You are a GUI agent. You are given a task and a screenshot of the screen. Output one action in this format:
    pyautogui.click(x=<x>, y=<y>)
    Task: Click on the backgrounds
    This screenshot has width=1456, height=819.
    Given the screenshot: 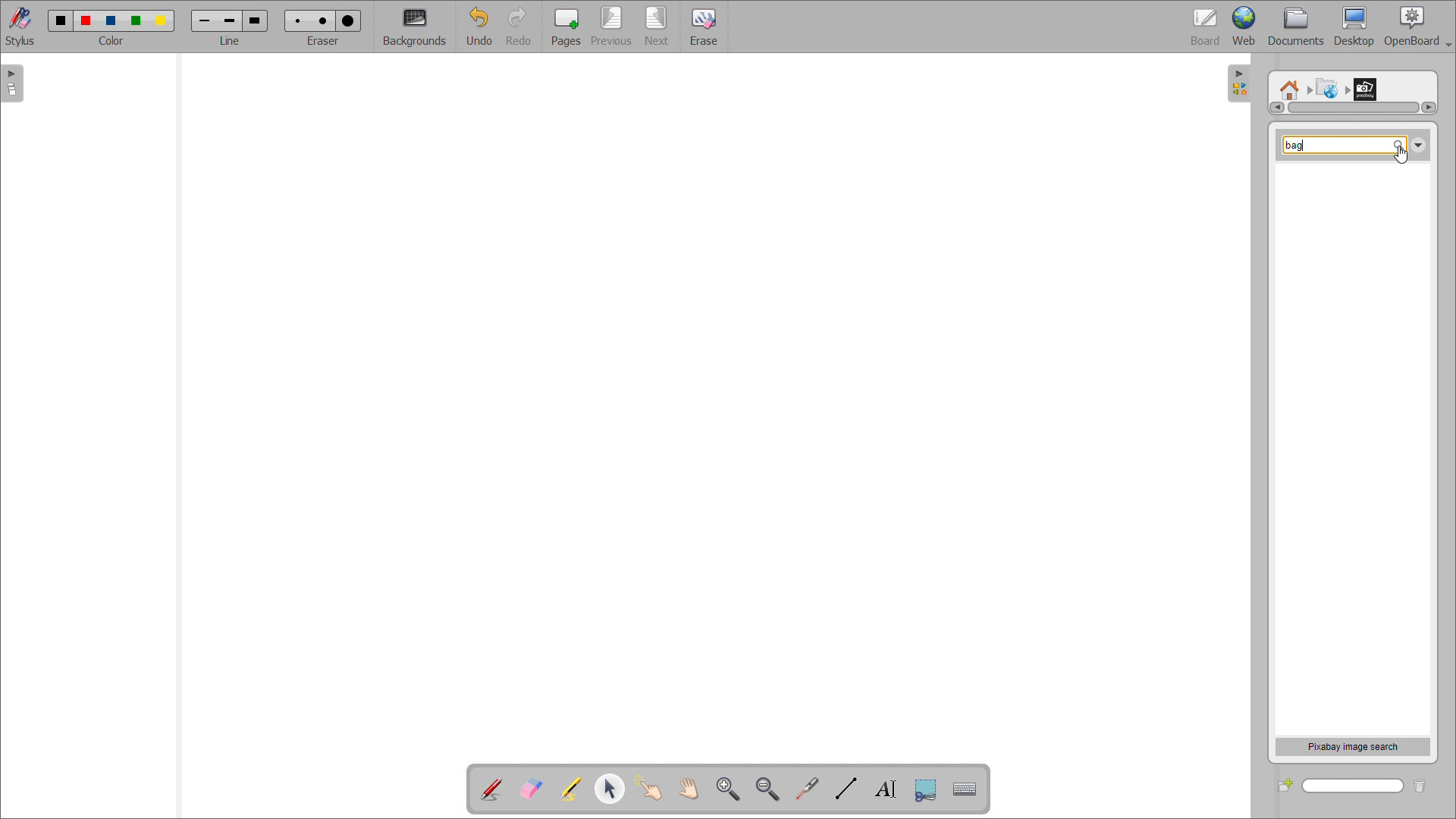 What is the action you would take?
    pyautogui.click(x=416, y=27)
    